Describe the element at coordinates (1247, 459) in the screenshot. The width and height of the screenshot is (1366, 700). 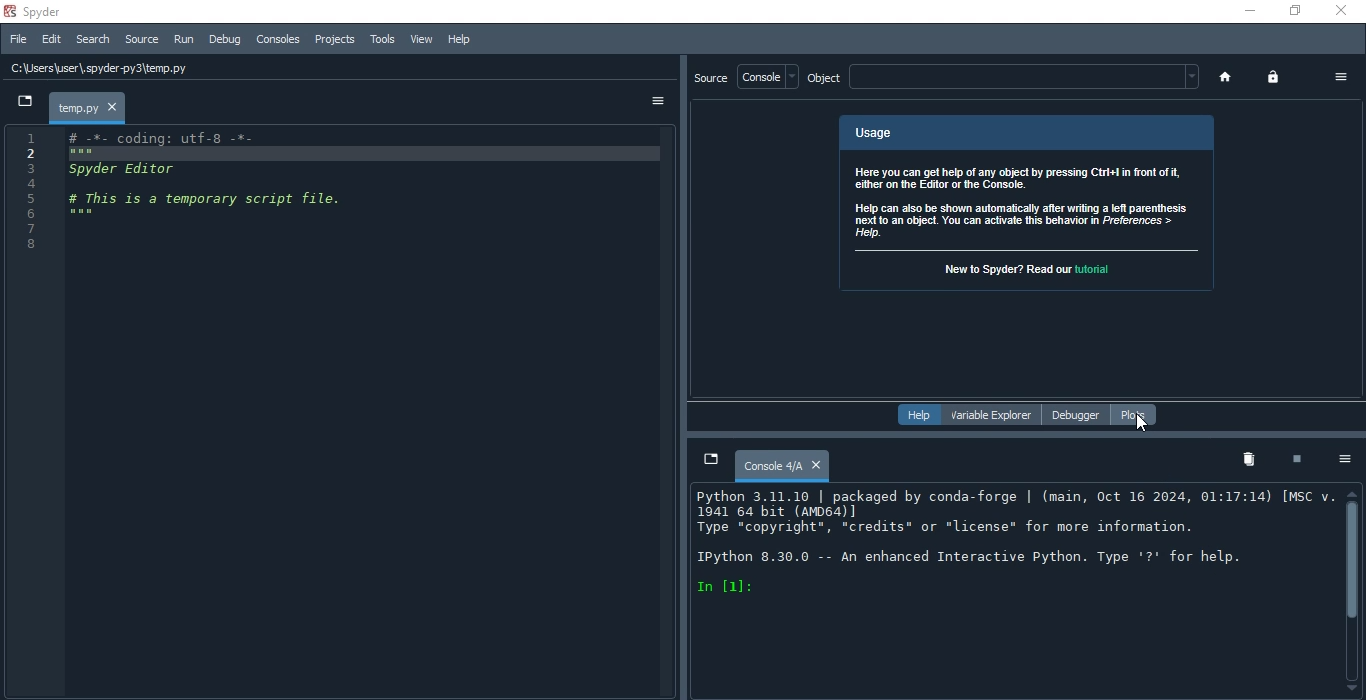
I see `delete all` at that location.